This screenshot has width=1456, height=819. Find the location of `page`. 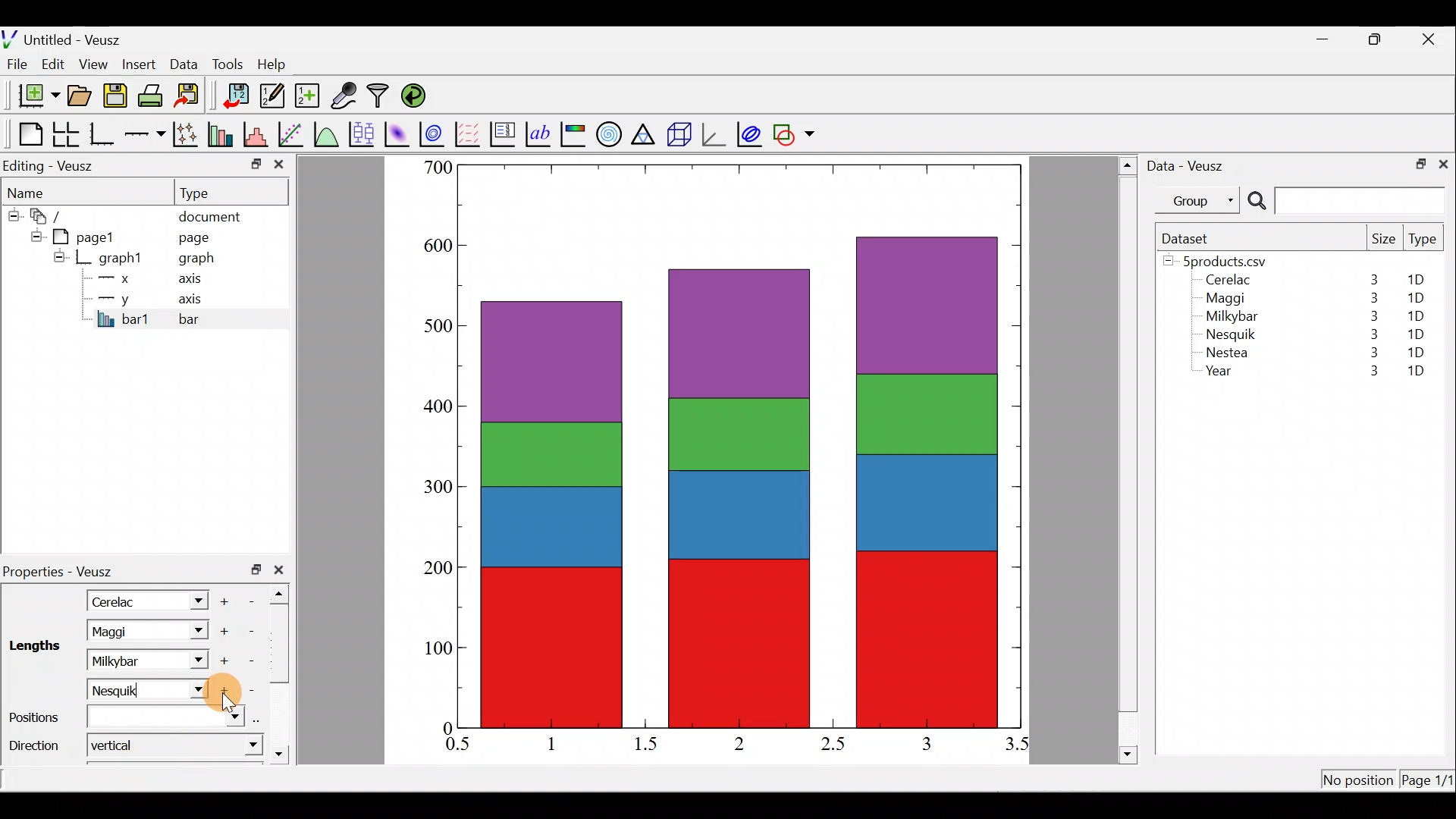

page is located at coordinates (193, 237).